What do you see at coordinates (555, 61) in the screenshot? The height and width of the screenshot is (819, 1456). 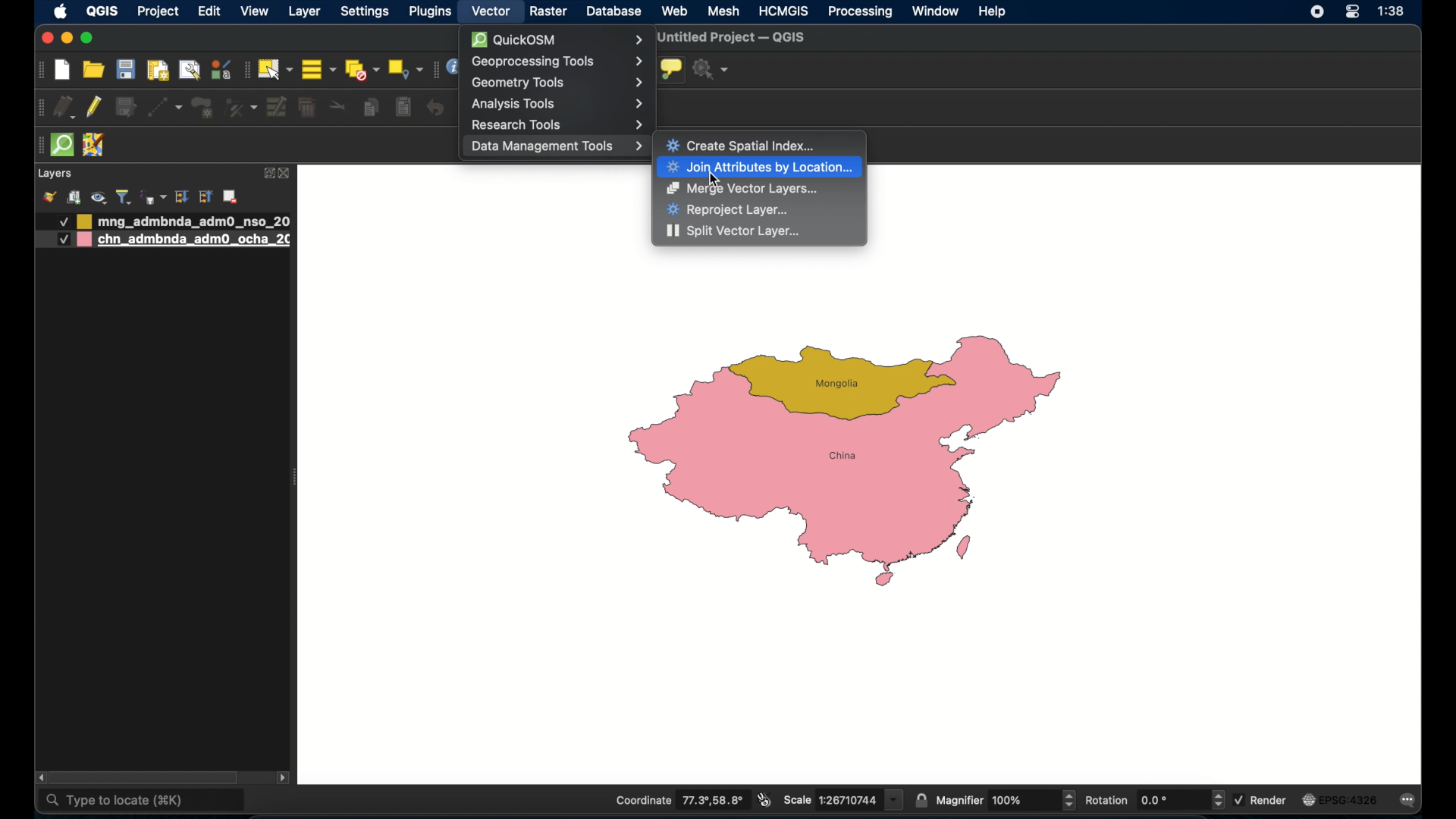 I see `Geoprocessing Tools` at bounding box center [555, 61].